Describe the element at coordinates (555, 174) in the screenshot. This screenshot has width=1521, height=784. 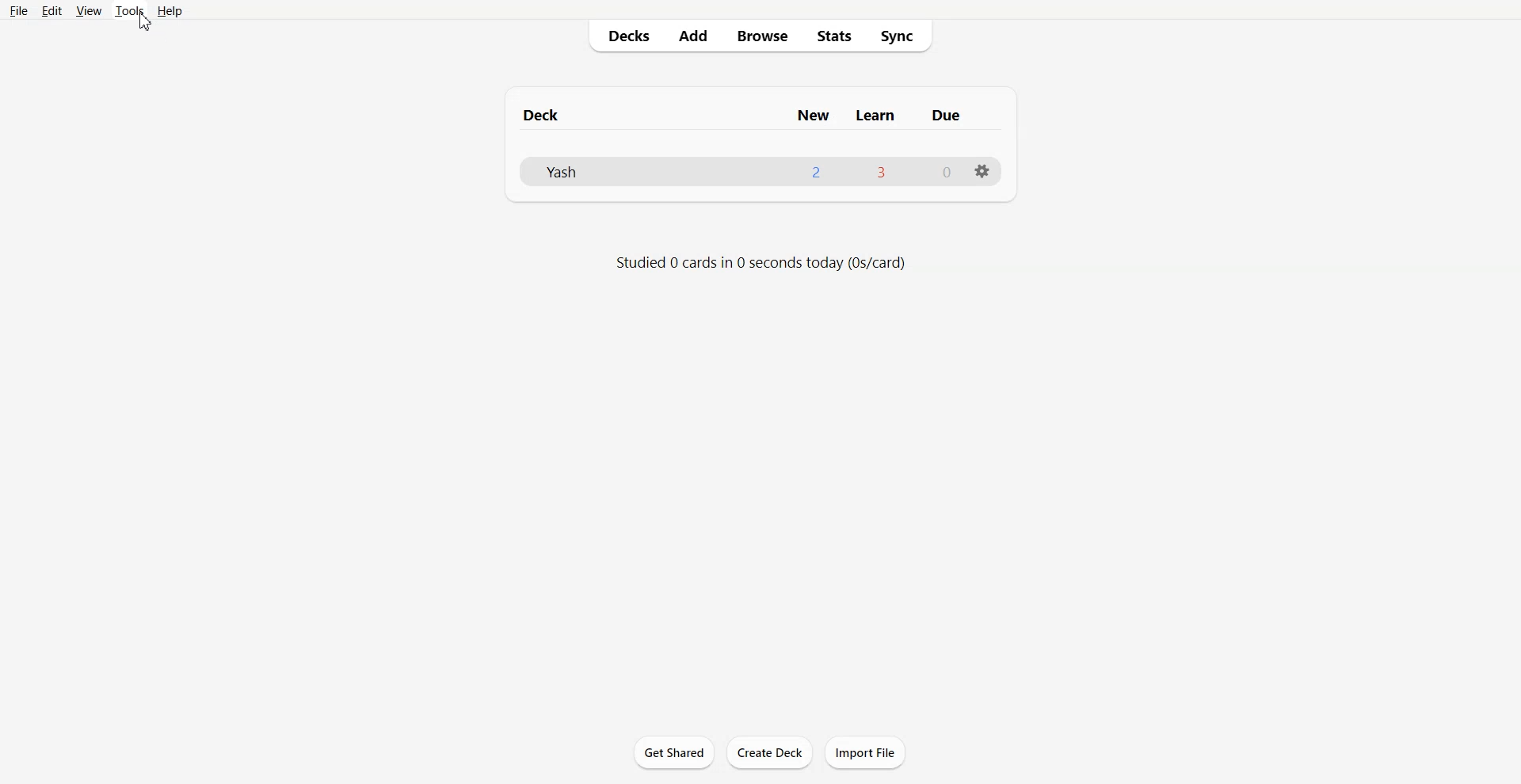
I see `yash` at that location.